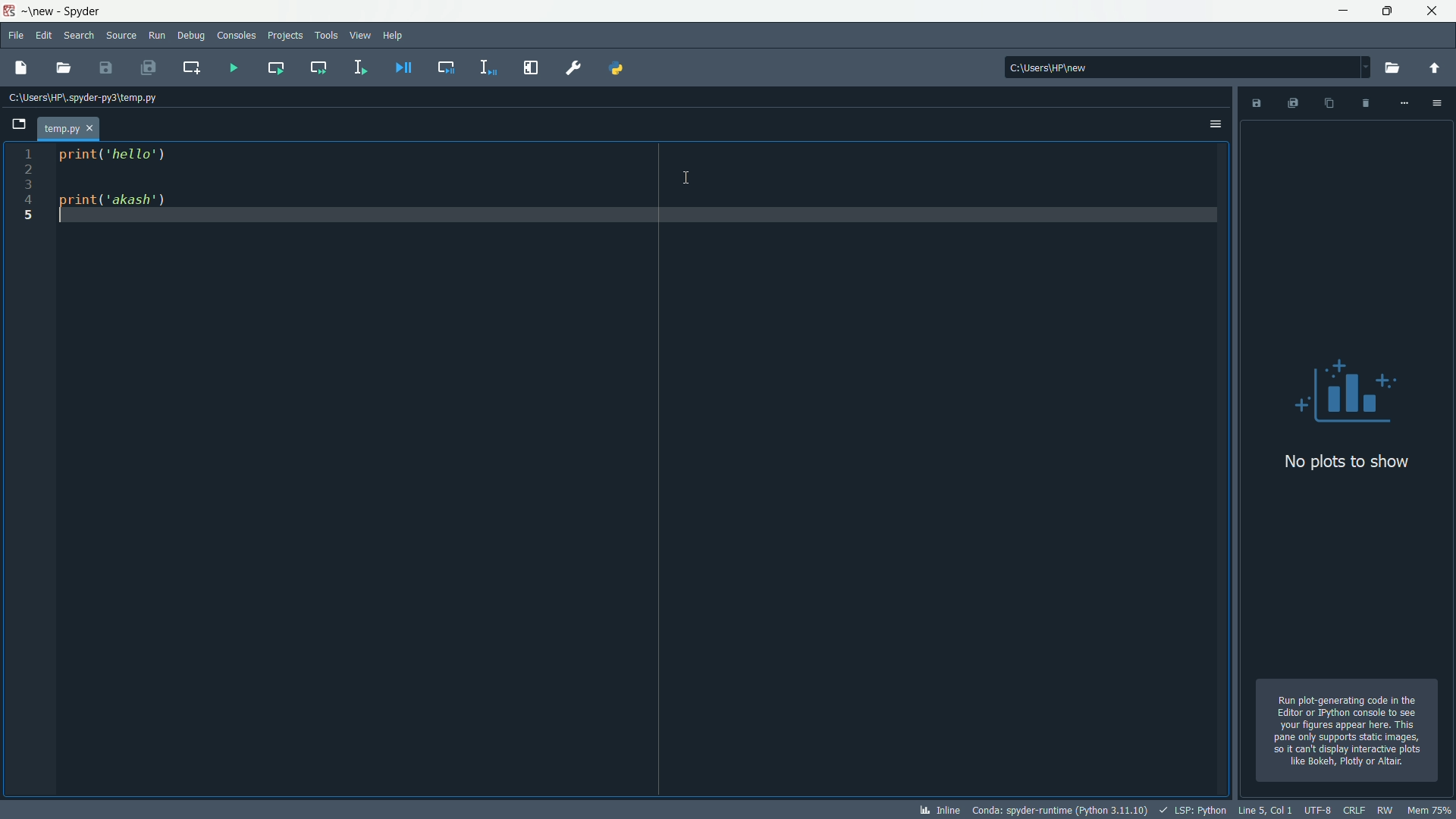 The image size is (1456, 819). I want to click on app name, so click(90, 11).